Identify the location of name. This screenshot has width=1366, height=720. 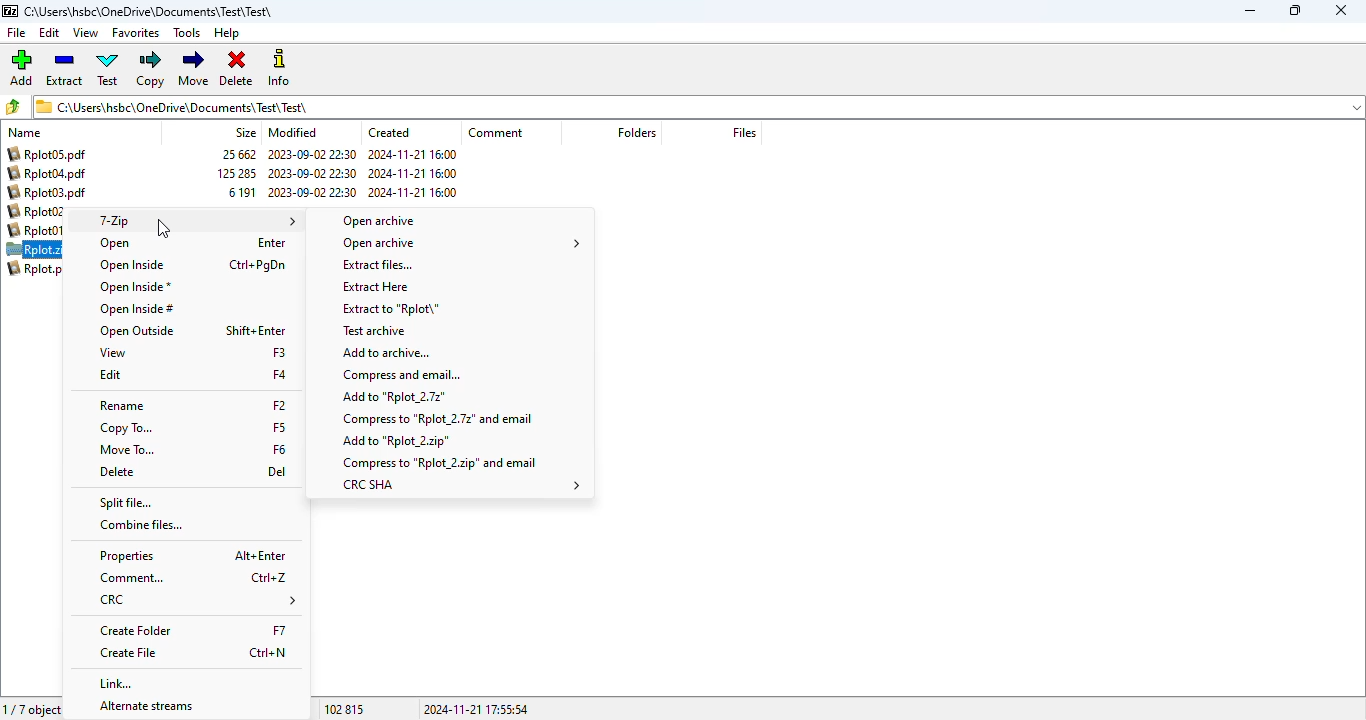
(24, 133).